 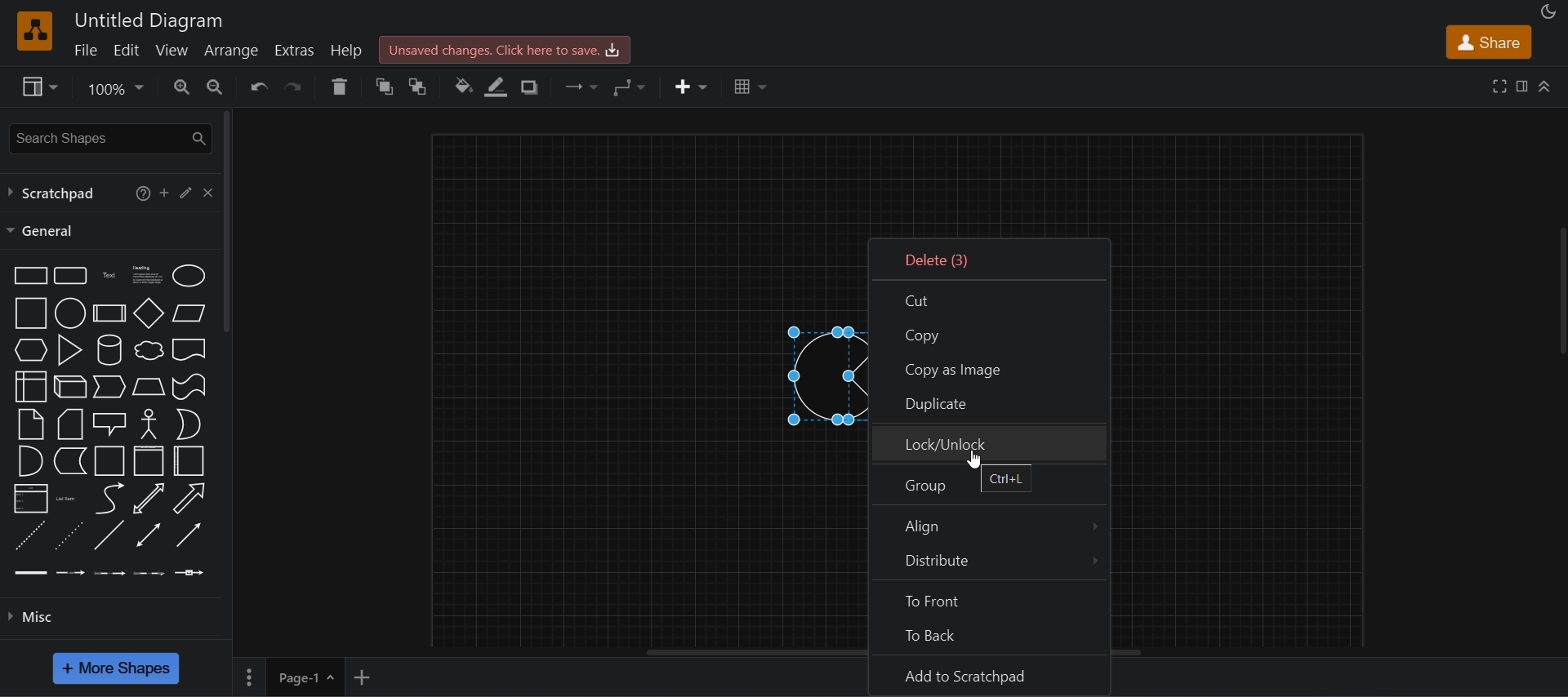 I want to click on zoom, so click(x=114, y=91).